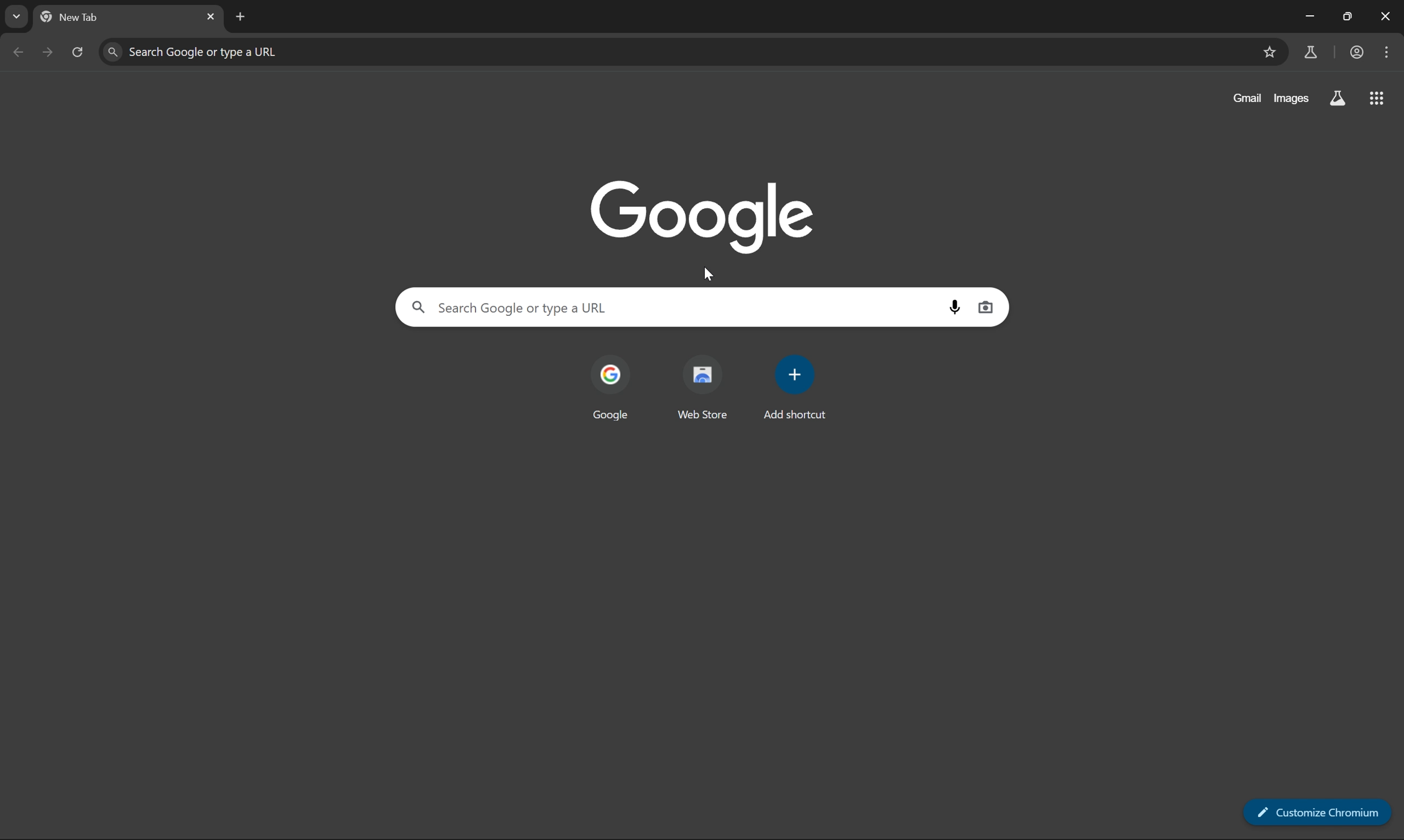  Describe the element at coordinates (112, 53) in the screenshot. I see `find` at that location.